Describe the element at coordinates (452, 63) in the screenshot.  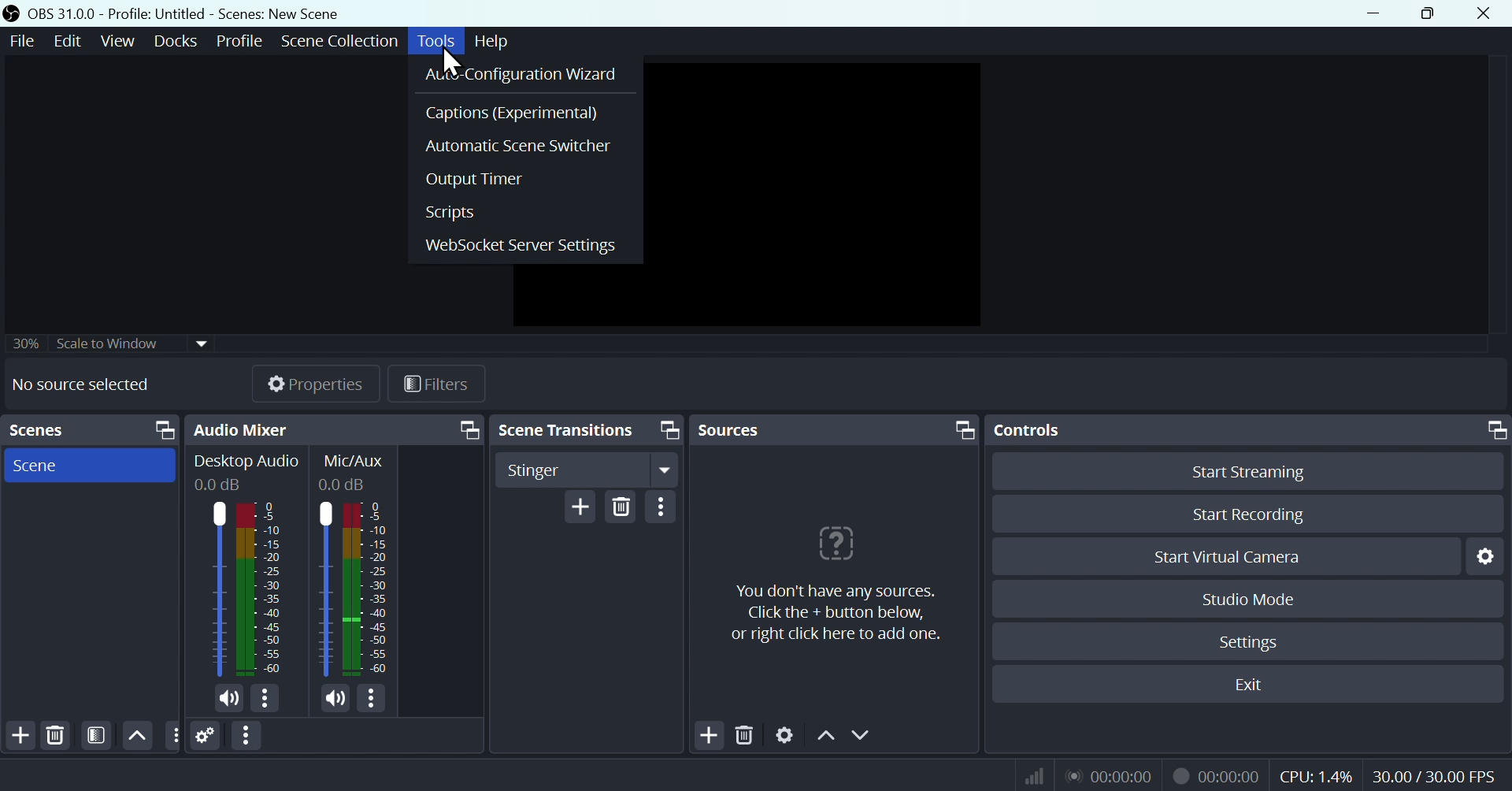
I see `cursor` at that location.